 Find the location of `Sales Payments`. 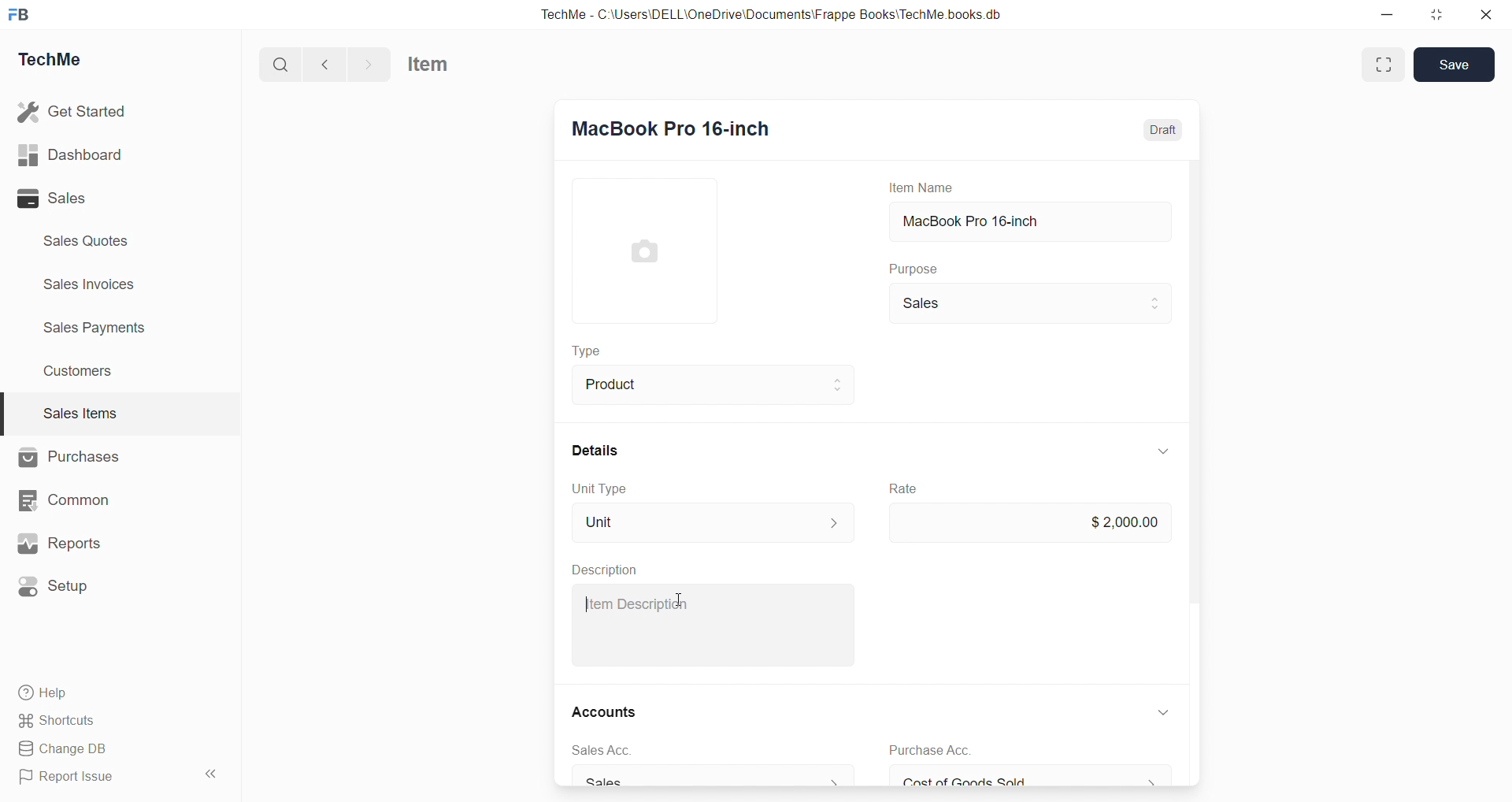

Sales Payments is located at coordinates (96, 328).